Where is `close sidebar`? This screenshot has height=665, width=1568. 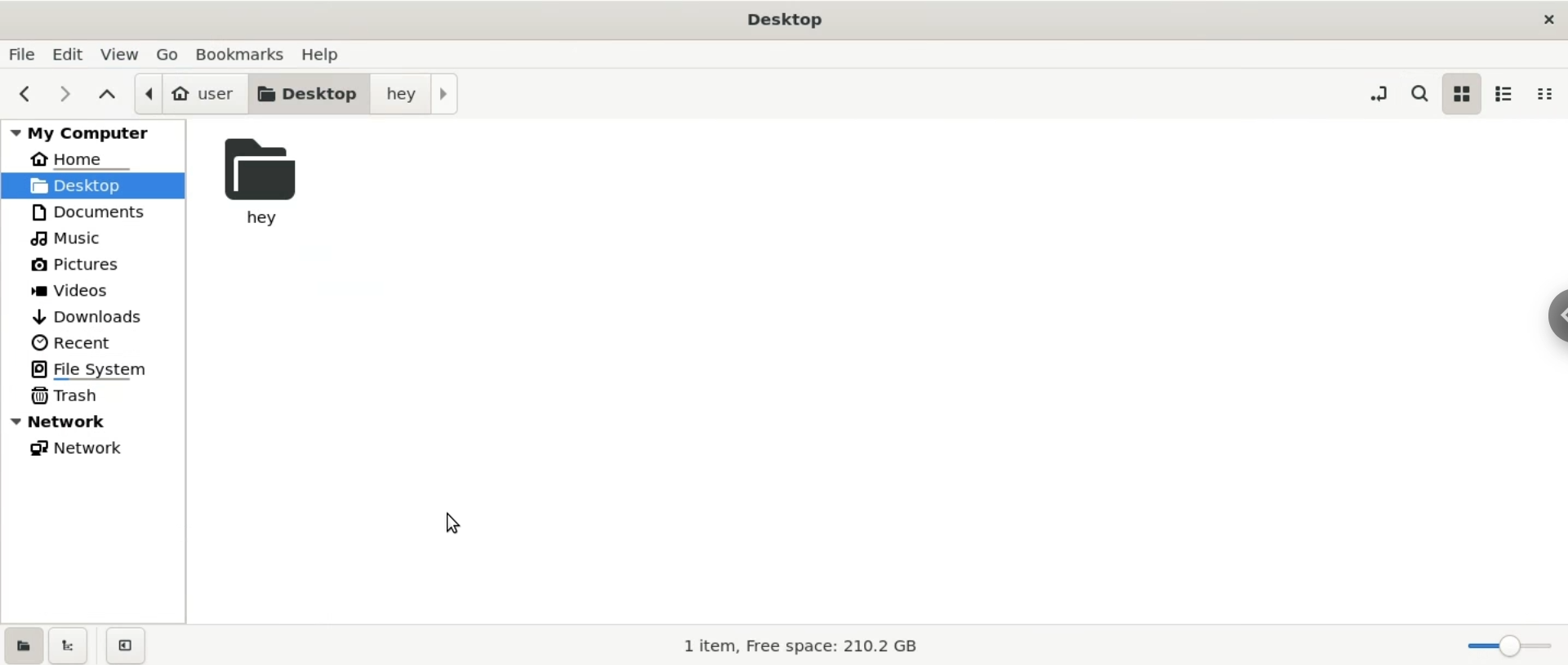
close sidebar is located at coordinates (132, 643).